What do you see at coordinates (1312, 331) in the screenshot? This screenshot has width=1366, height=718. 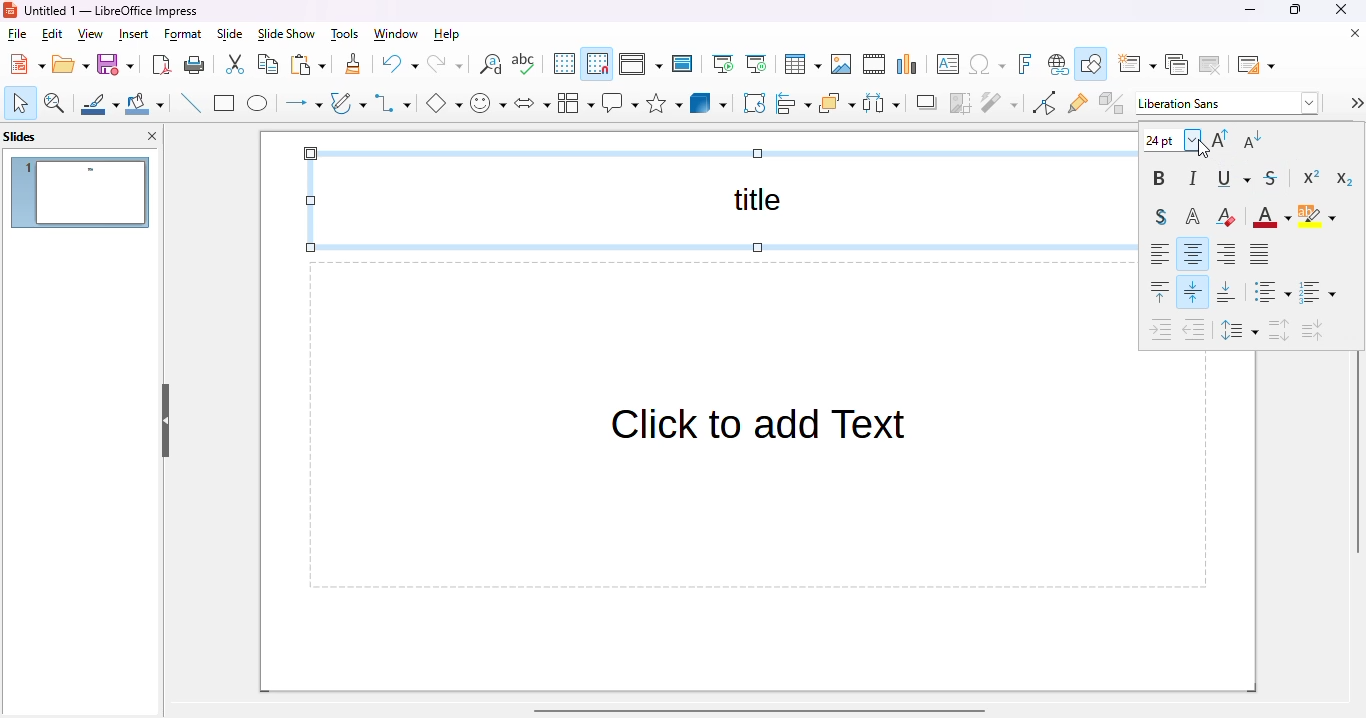 I see `decrease paragraph spacing` at bounding box center [1312, 331].